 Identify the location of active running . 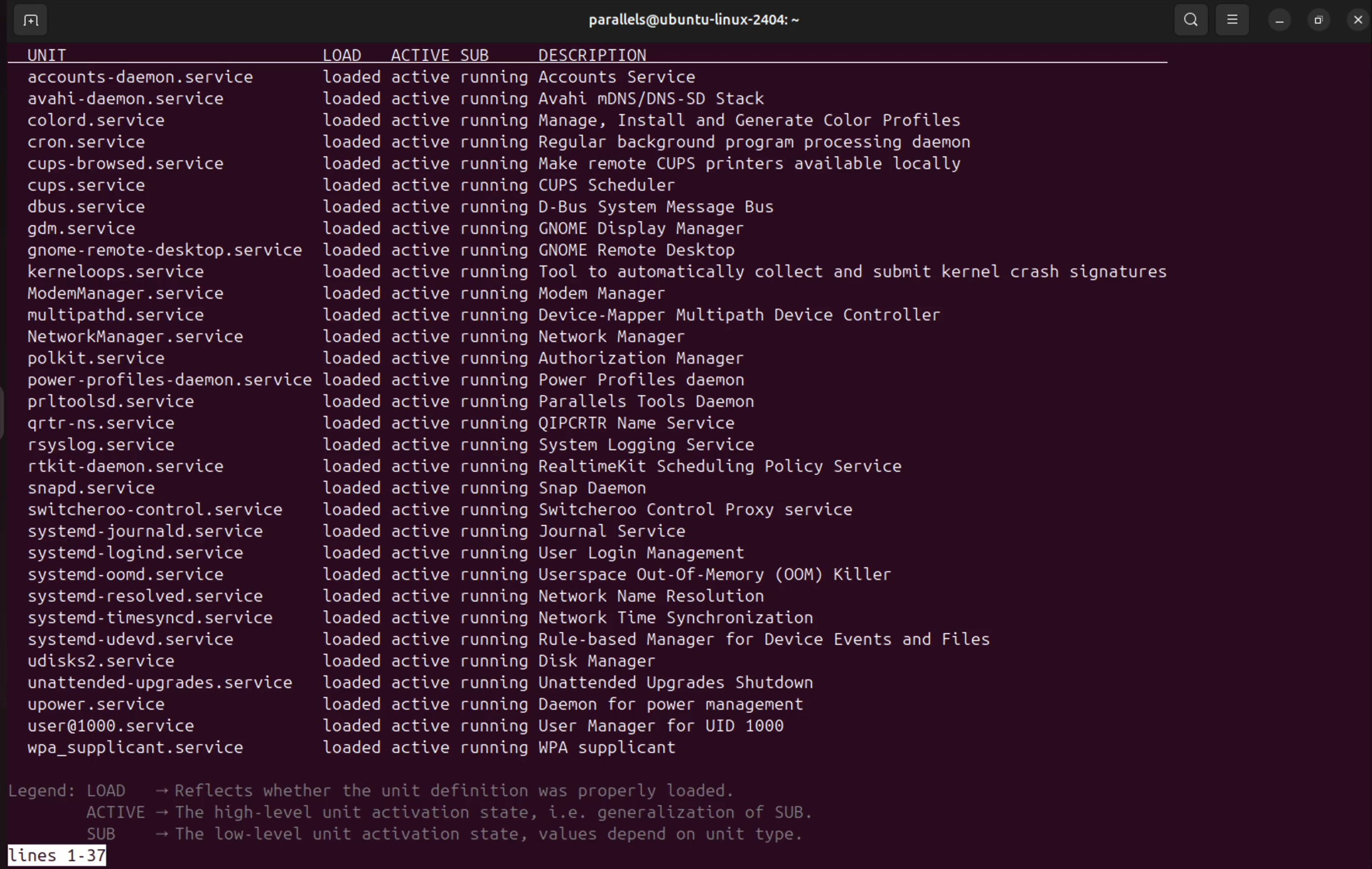
(536, 663).